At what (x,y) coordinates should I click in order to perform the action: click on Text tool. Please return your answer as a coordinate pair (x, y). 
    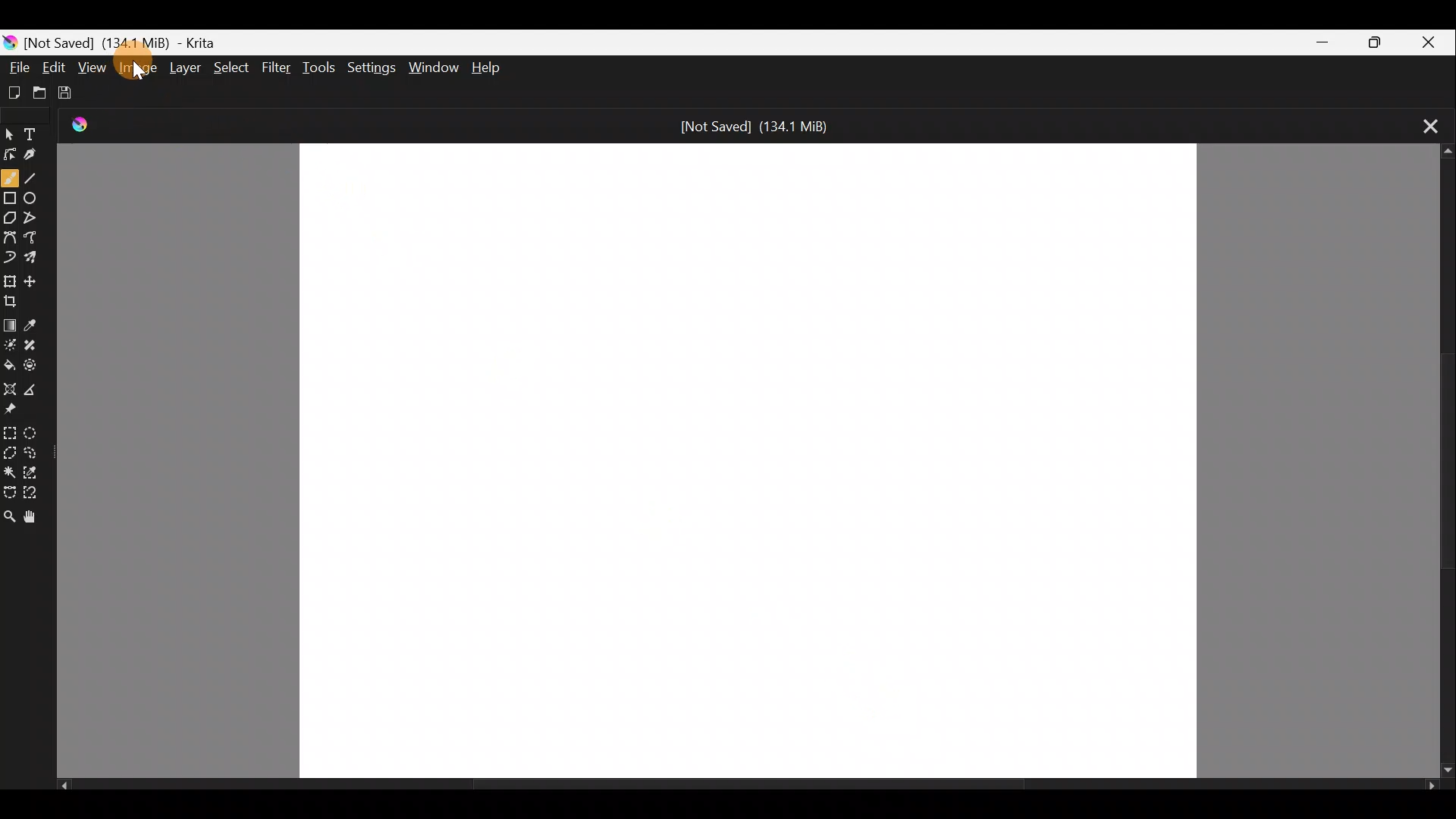
    Looking at the image, I should click on (39, 129).